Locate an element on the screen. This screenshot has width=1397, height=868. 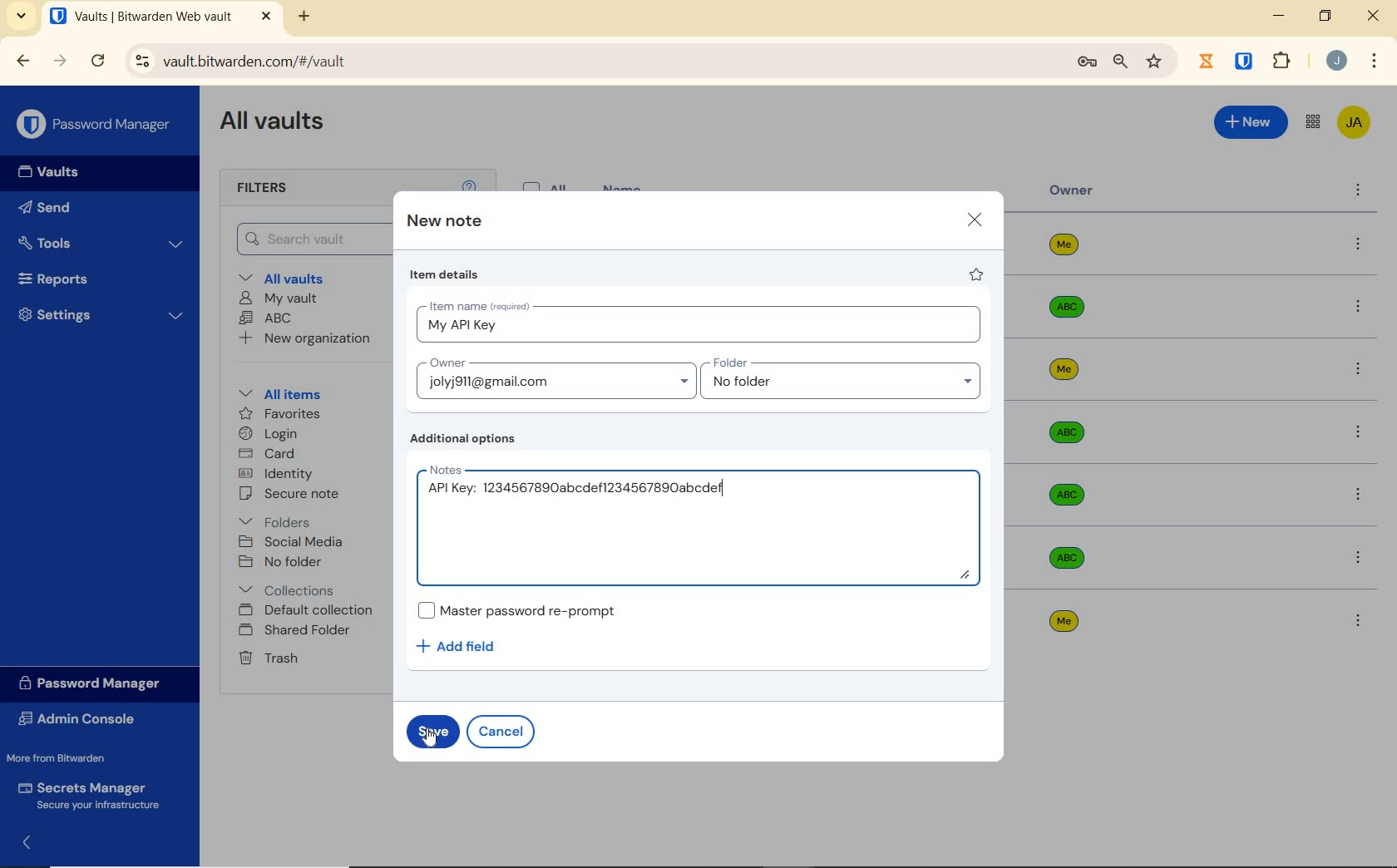
BITWARDEN is located at coordinates (1245, 62).